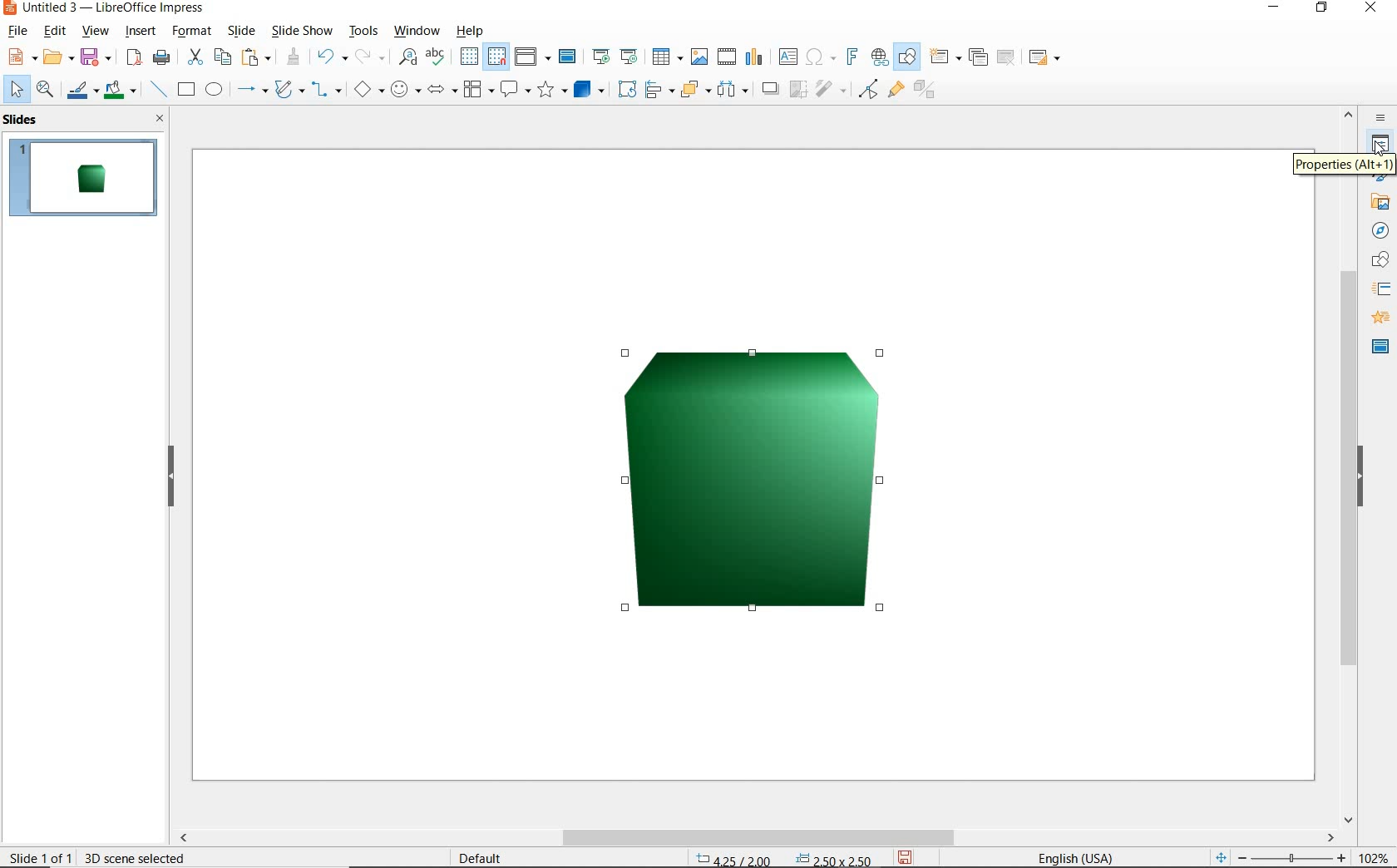  What do you see at coordinates (162, 59) in the screenshot?
I see `print` at bounding box center [162, 59].